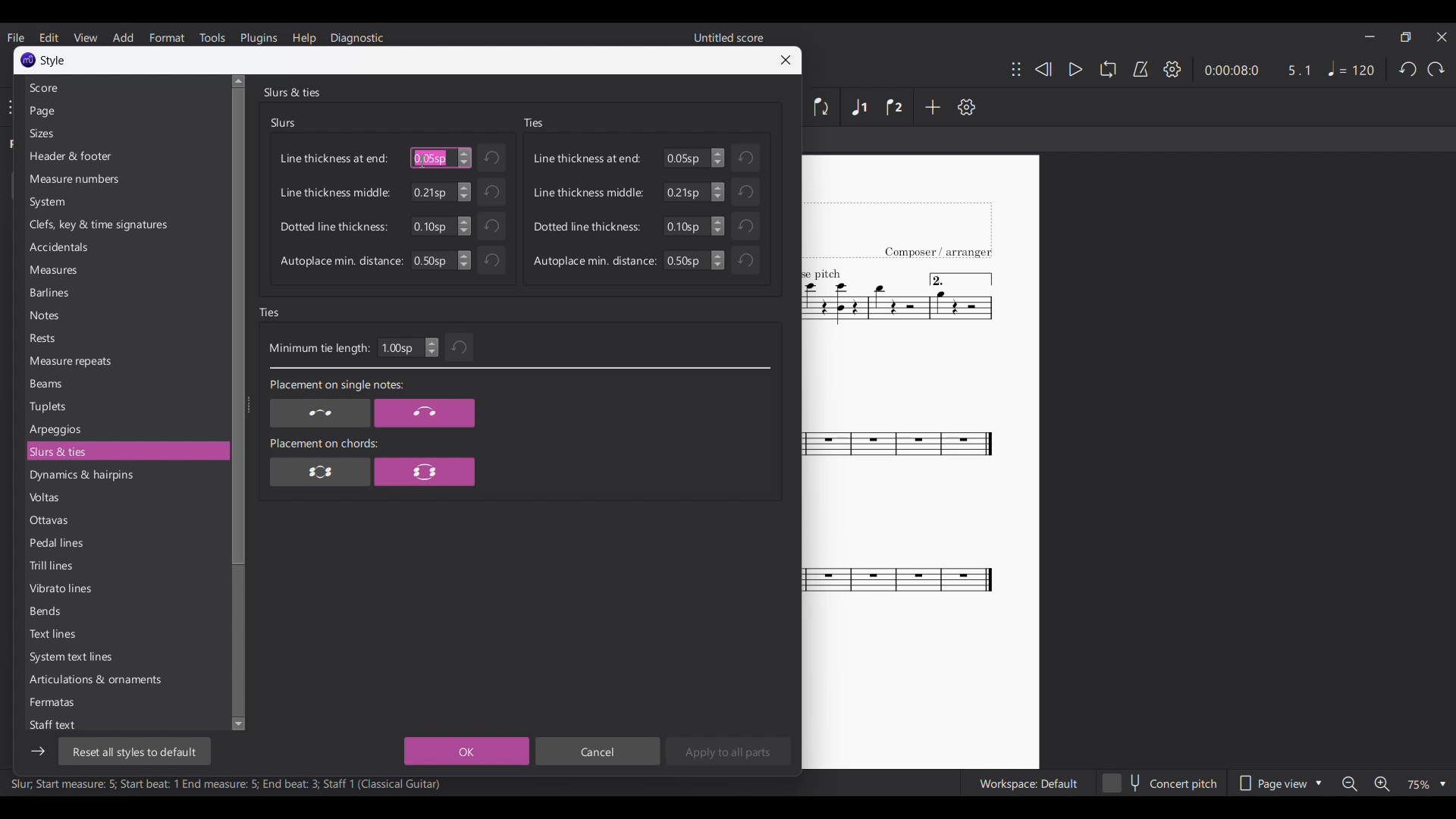  I want to click on Reset all styles to default, so click(133, 752).